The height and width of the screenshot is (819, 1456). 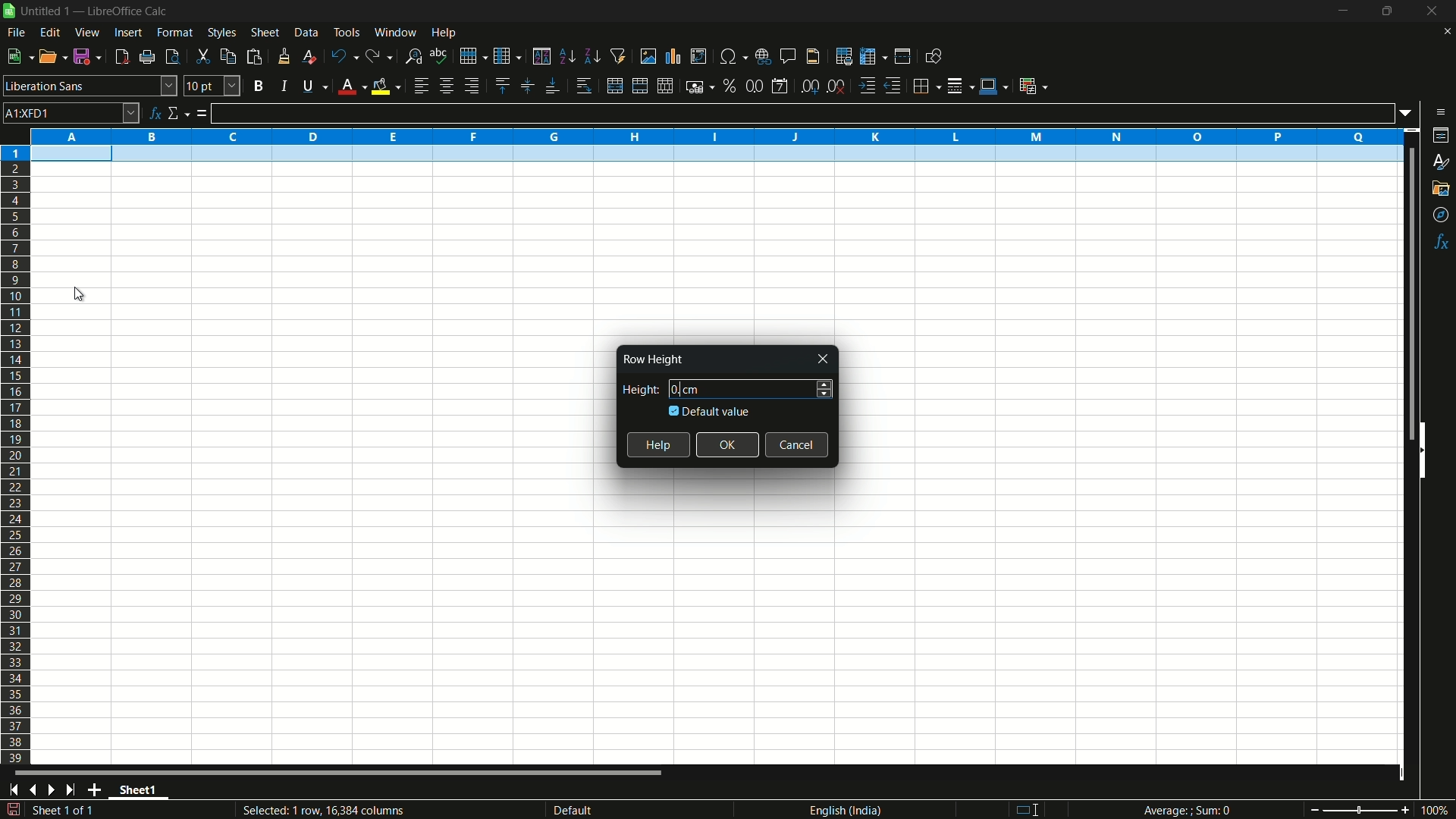 What do you see at coordinates (765, 55) in the screenshot?
I see `insert hyperlink` at bounding box center [765, 55].